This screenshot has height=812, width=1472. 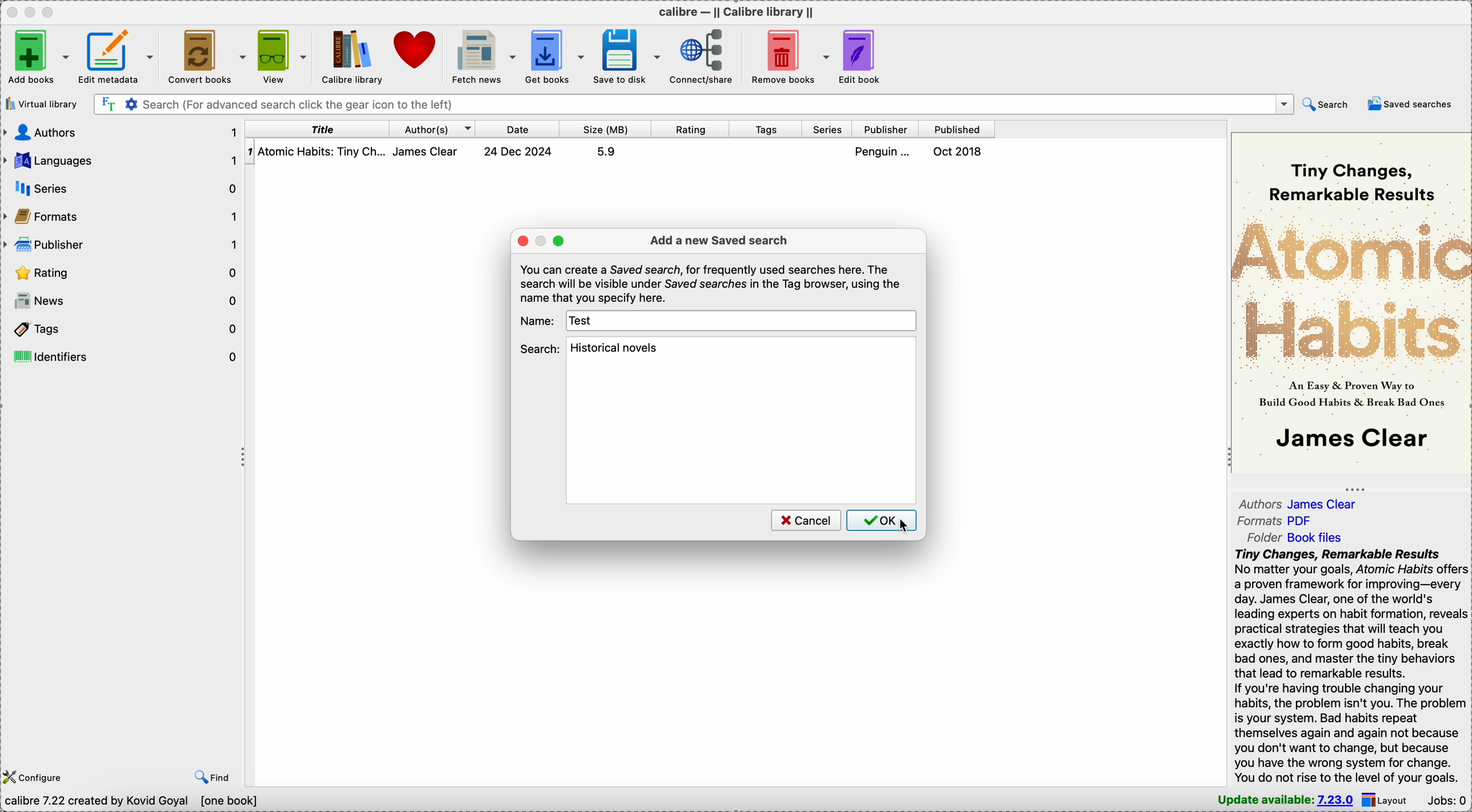 What do you see at coordinates (719, 241) in the screenshot?
I see `add a new saved search` at bounding box center [719, 241].